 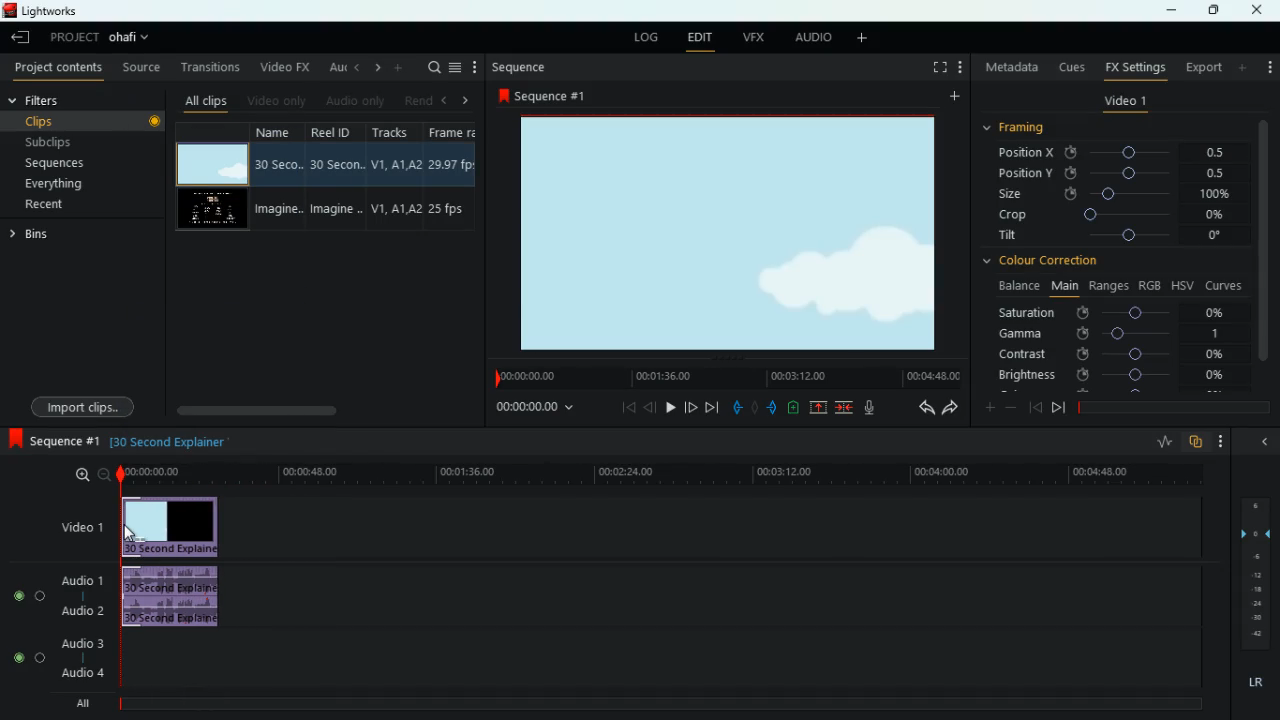 I want to click on more, so click(x=1222, y=442).